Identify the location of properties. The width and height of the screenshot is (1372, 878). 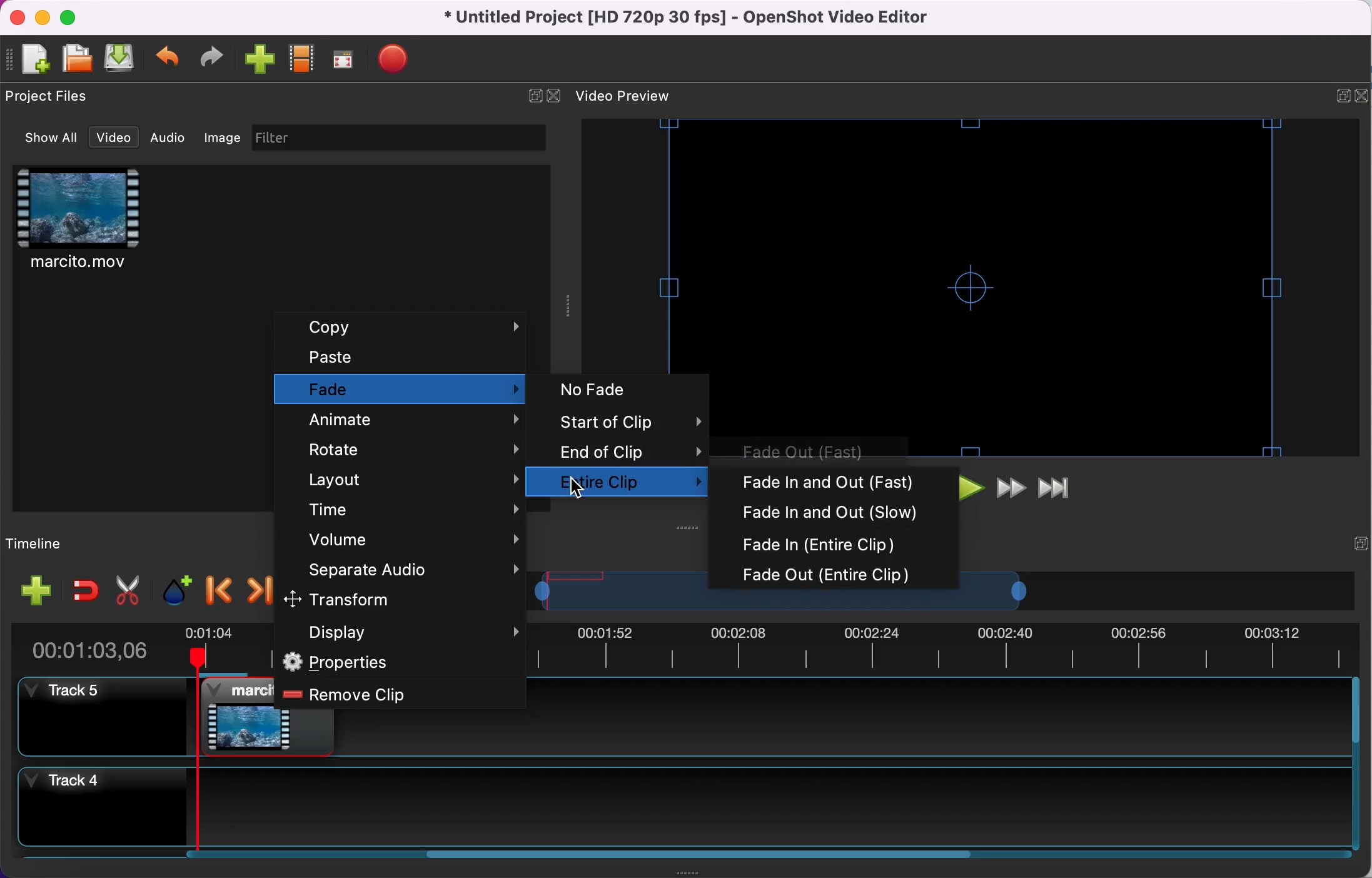
(386, 664).